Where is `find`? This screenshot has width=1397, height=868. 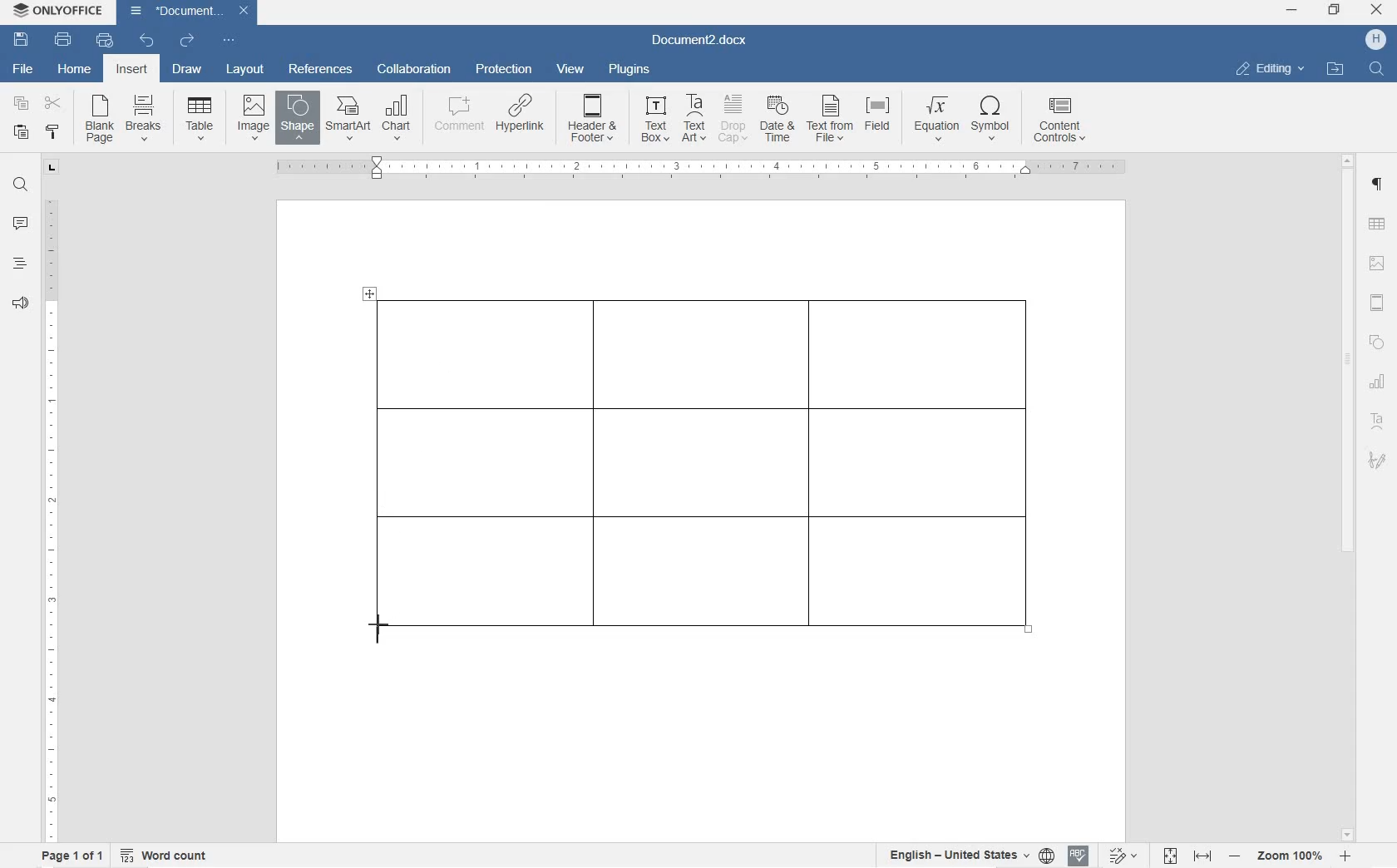
find is located at coordinates (22, 186).